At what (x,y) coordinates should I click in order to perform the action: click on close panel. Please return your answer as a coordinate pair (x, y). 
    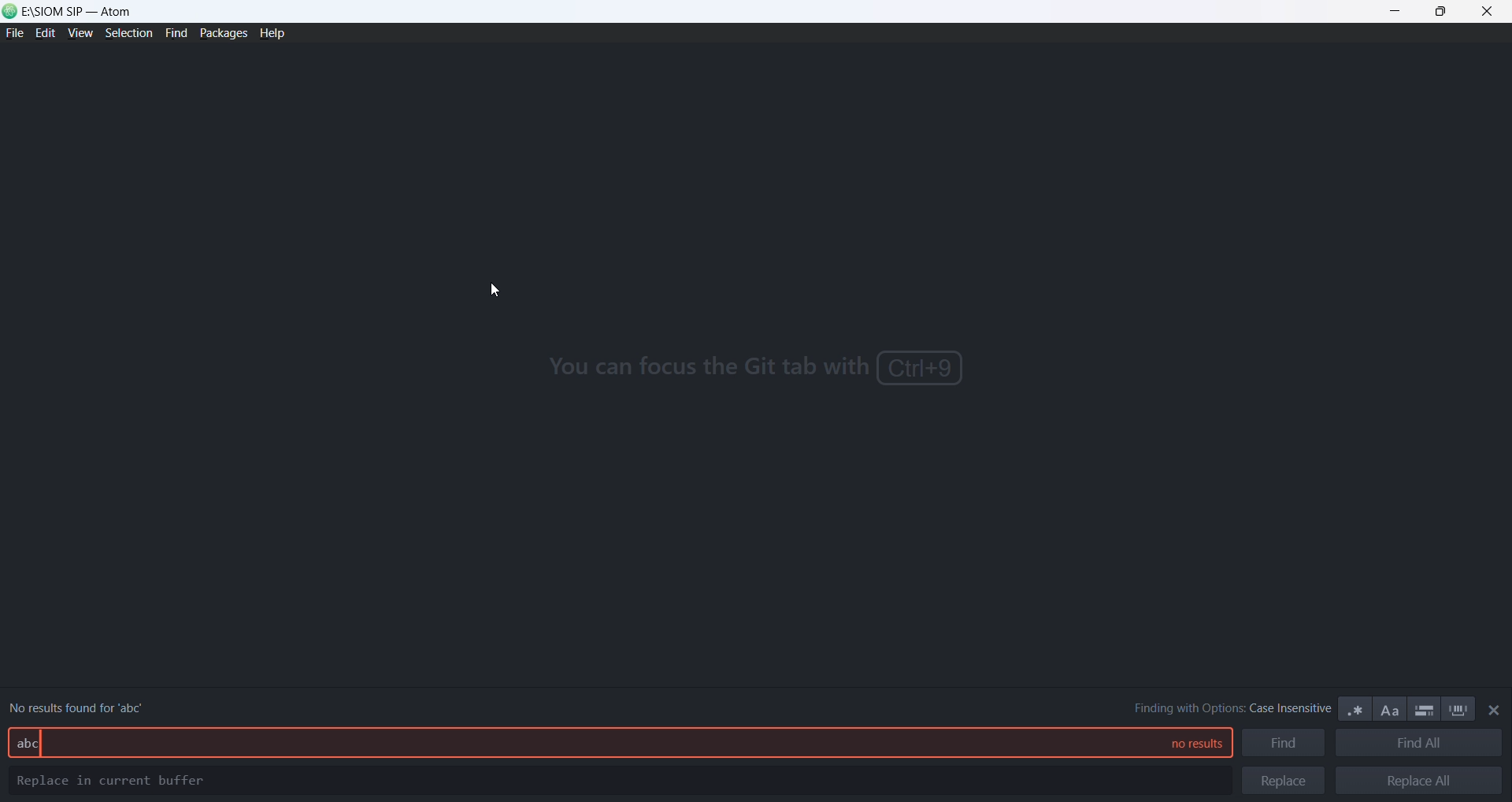
    Looking at the image, I should click on (1495, 711).